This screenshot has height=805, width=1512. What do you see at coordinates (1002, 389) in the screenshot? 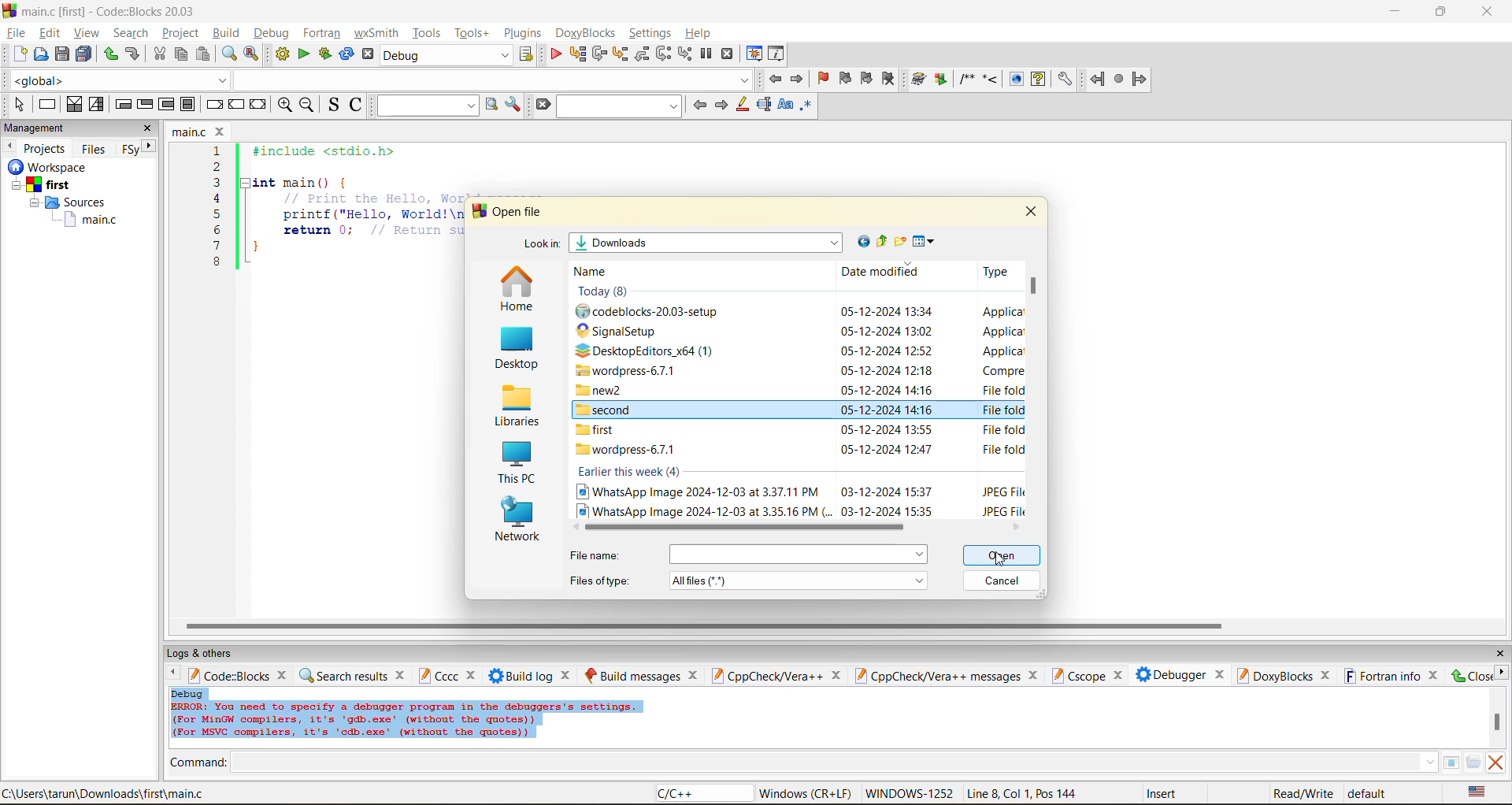
I see `type` at bounding box center [1002, 389].